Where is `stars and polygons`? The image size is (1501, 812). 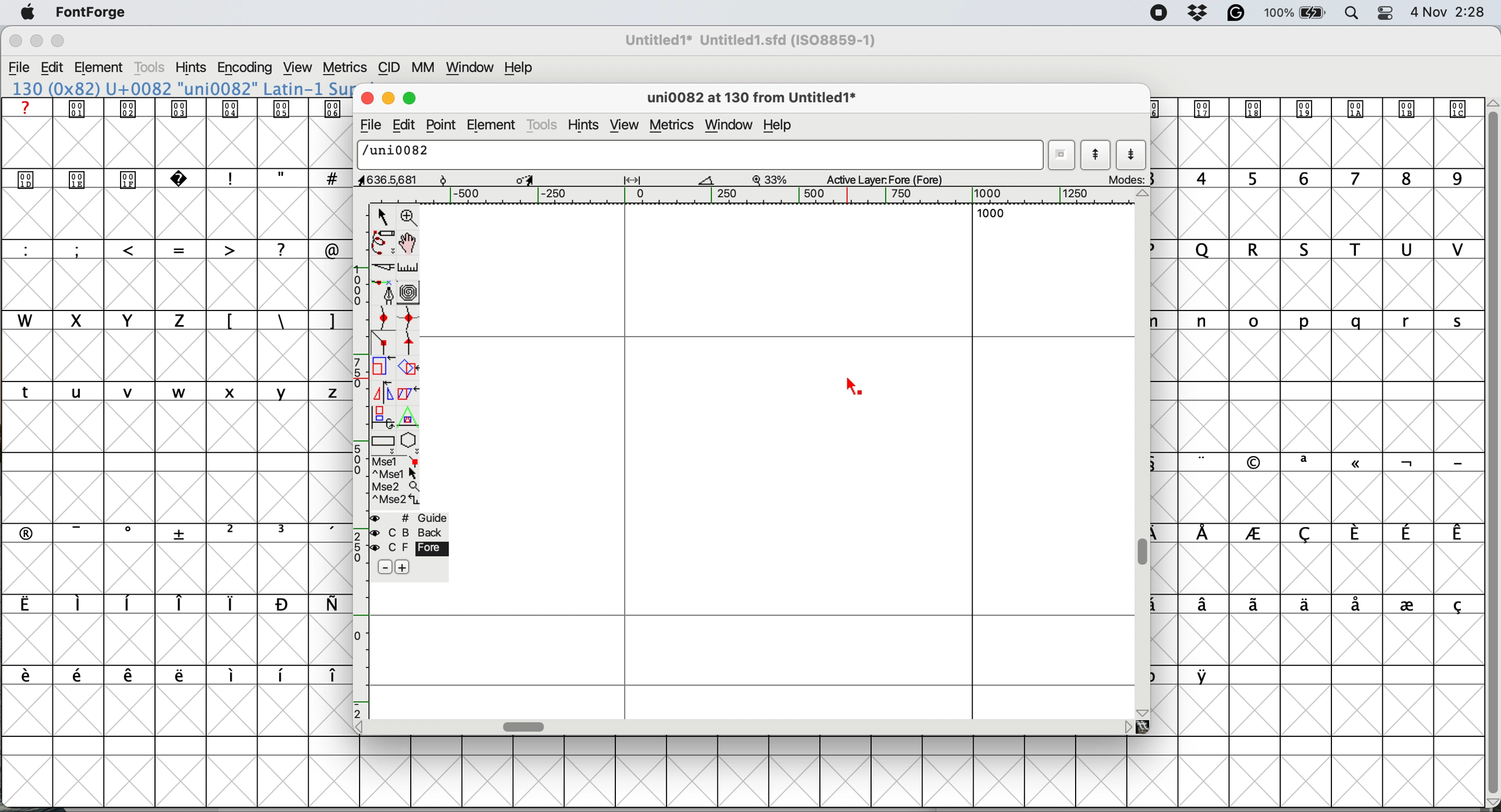 stars and polygons is located at coordinates (410, 443).